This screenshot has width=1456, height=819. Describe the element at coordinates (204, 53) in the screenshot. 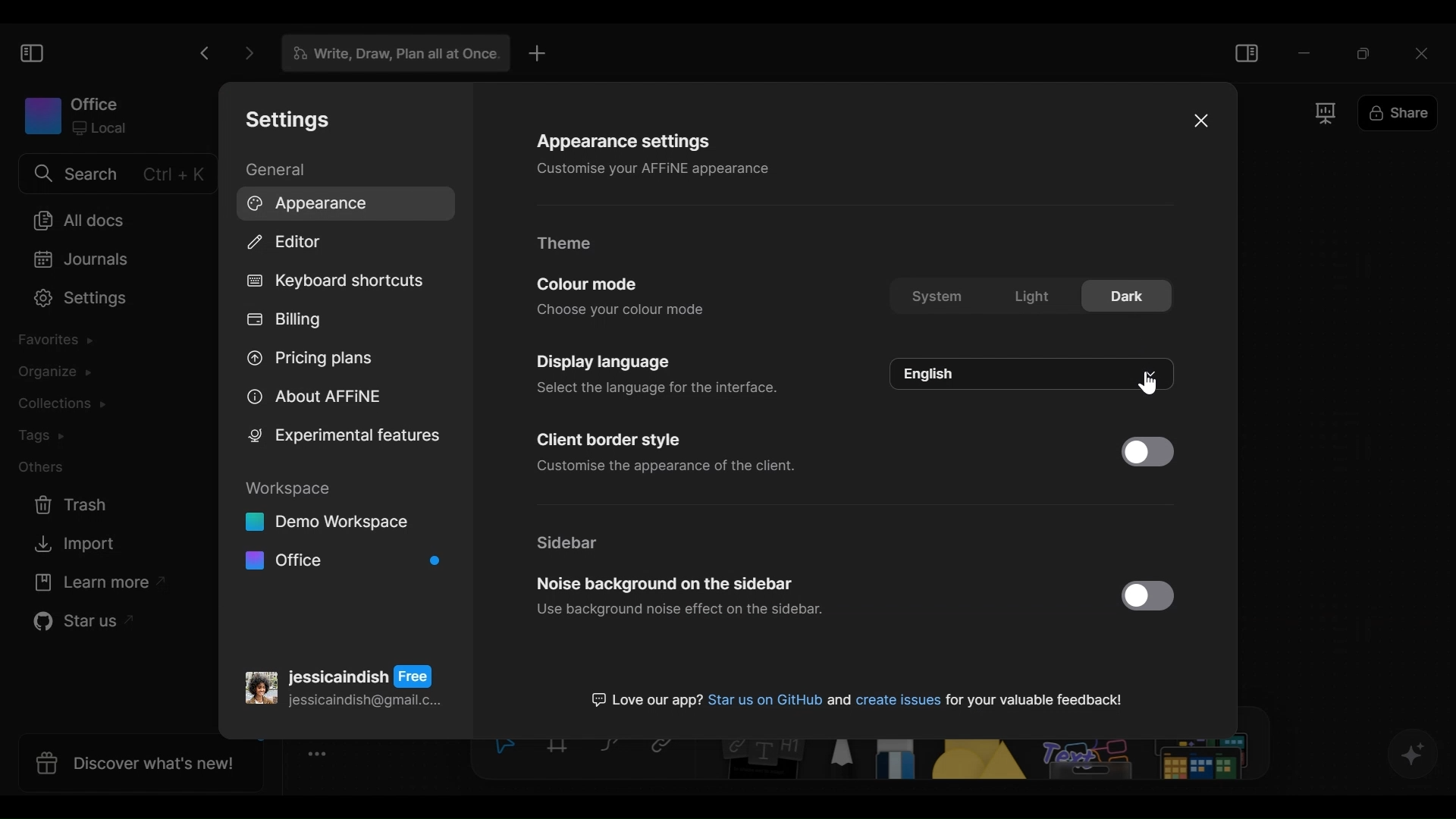

I see `Click to go back` at that location.